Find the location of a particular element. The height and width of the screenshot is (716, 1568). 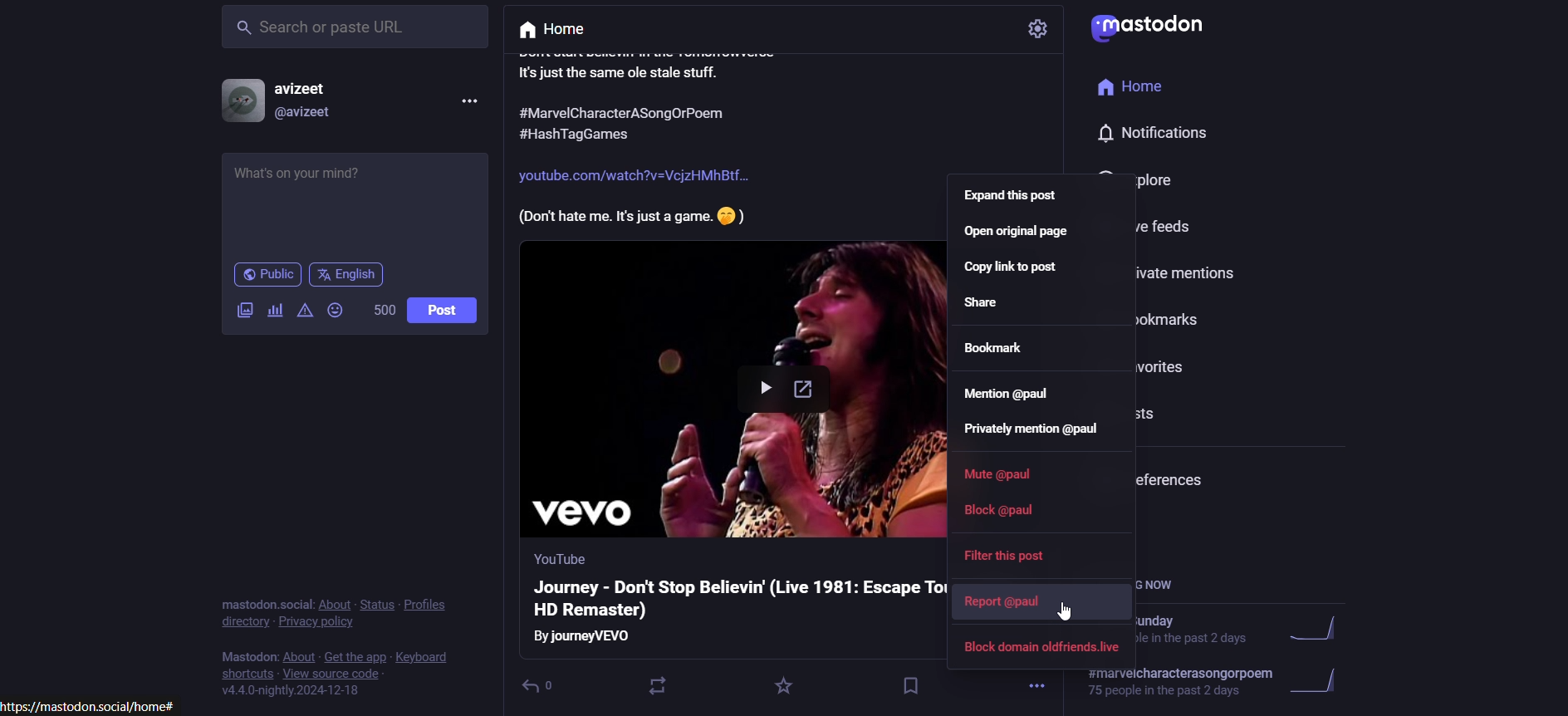

language is located at coordinates (349, 275).